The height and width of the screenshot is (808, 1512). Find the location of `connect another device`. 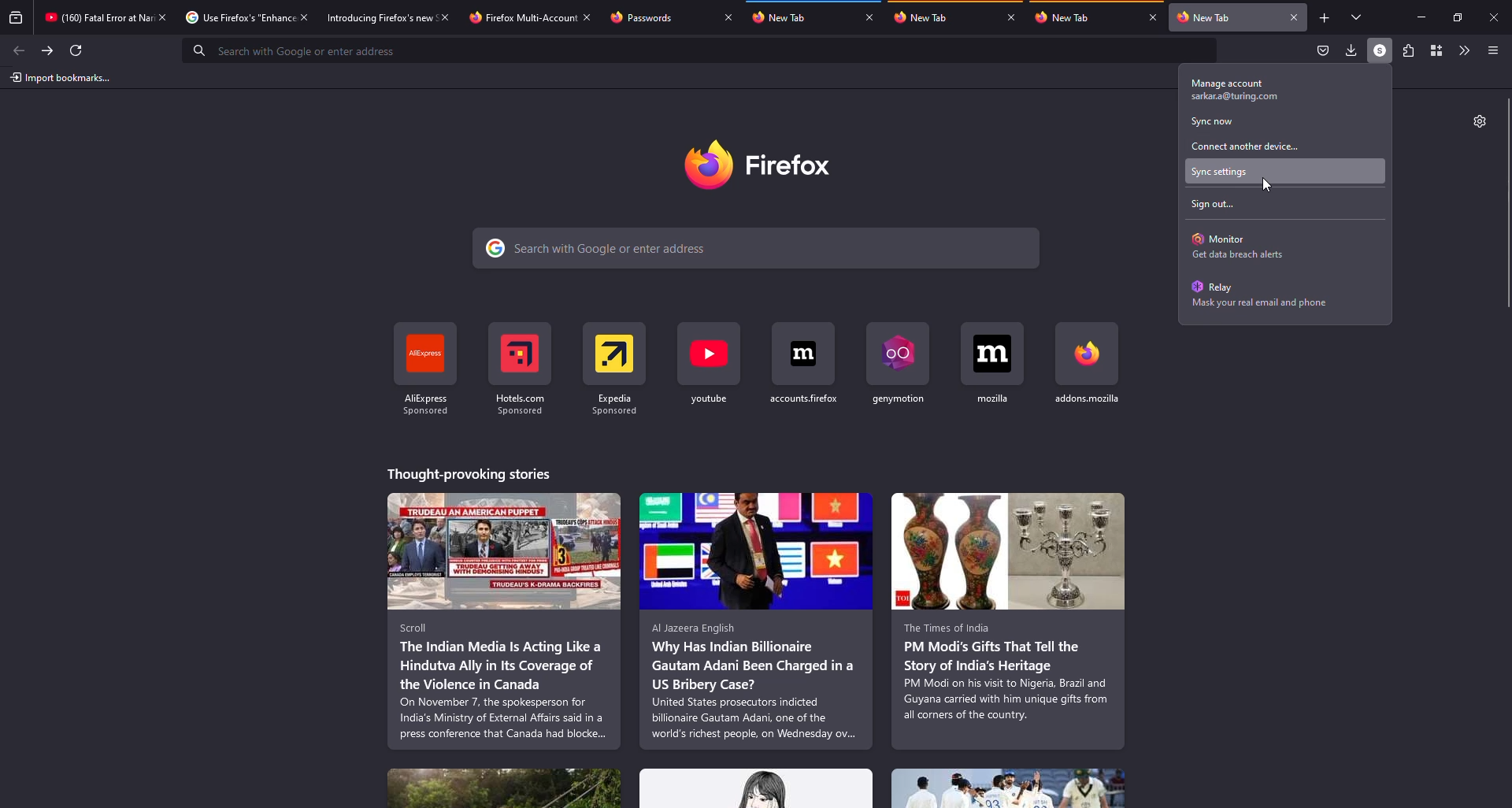

connect another device is located at coordinates (1285, 146).